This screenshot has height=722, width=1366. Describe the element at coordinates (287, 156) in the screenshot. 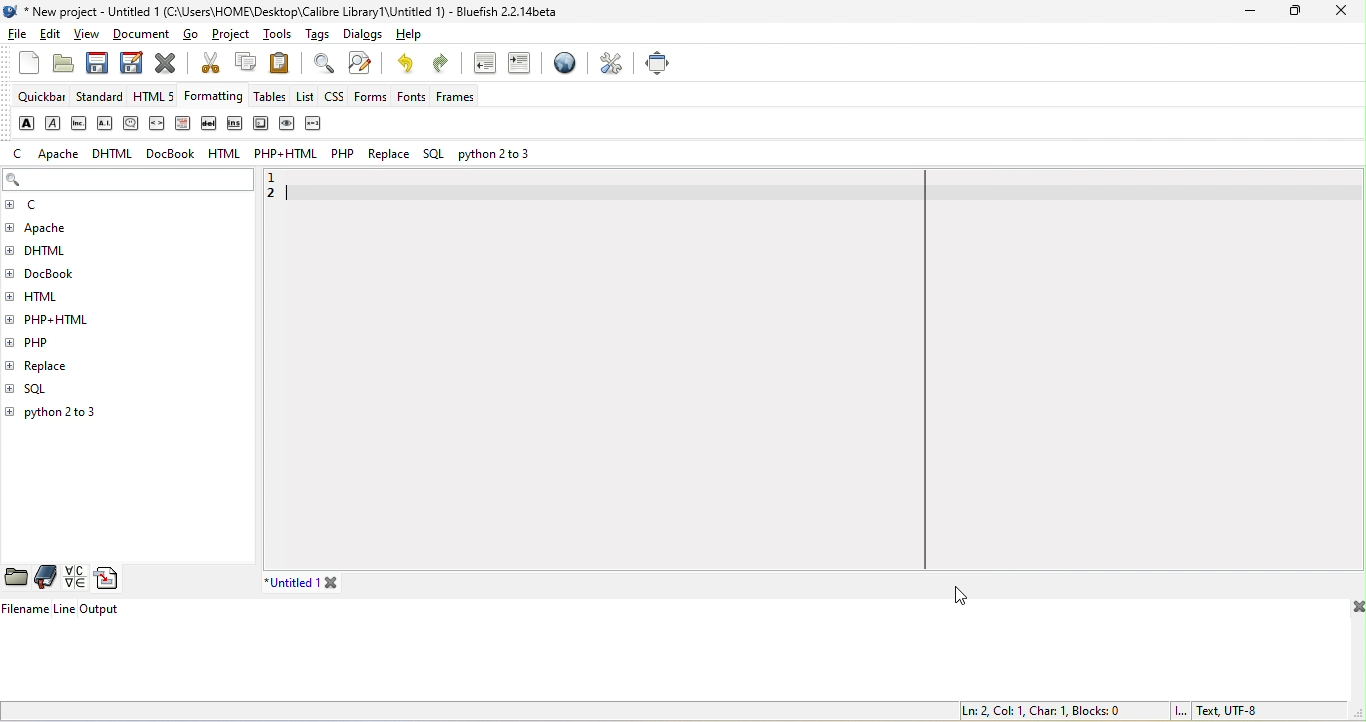

I see `php+html` at that location.